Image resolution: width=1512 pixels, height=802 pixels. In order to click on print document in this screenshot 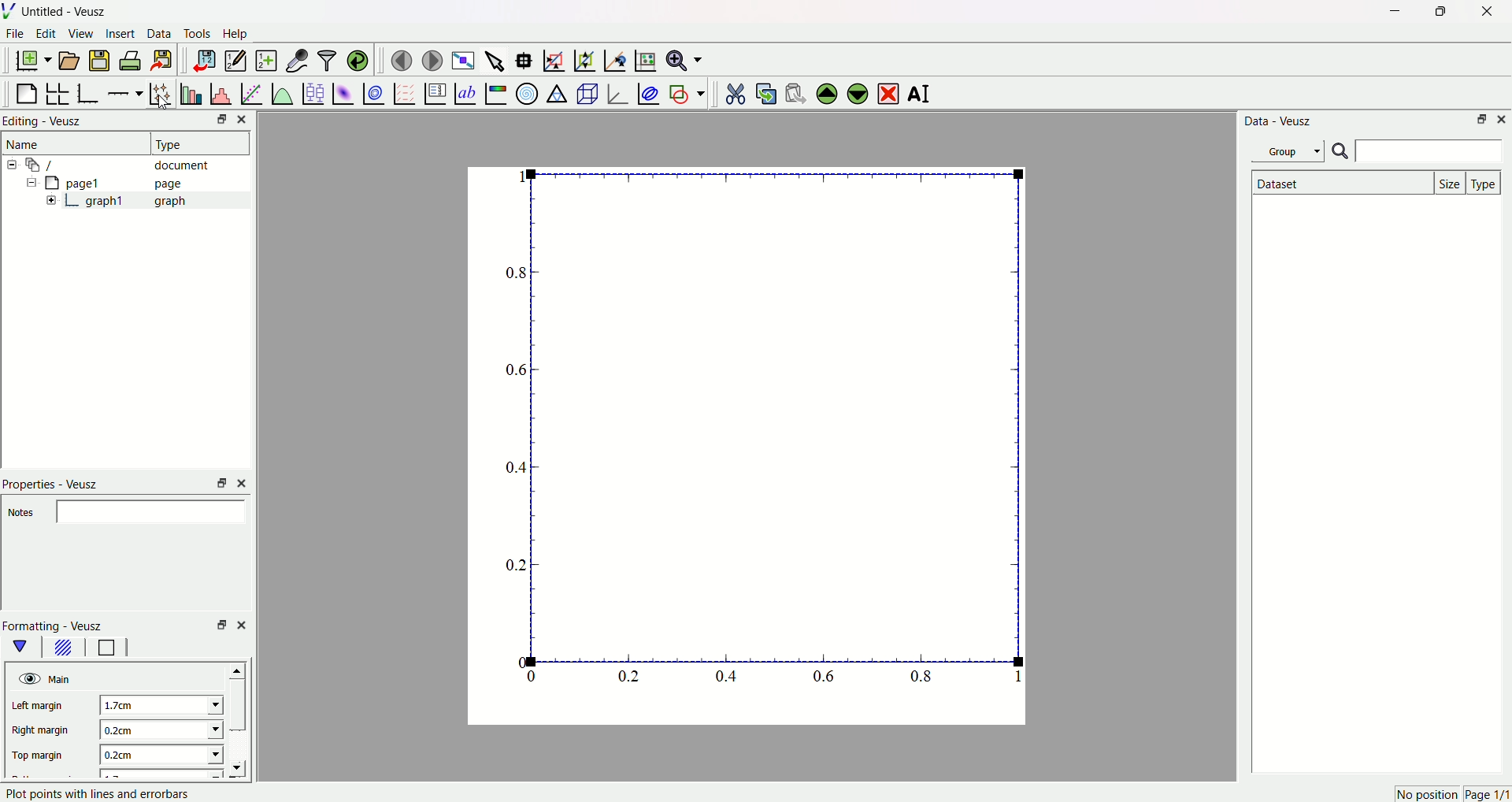, I will do `click(132, 62)`.